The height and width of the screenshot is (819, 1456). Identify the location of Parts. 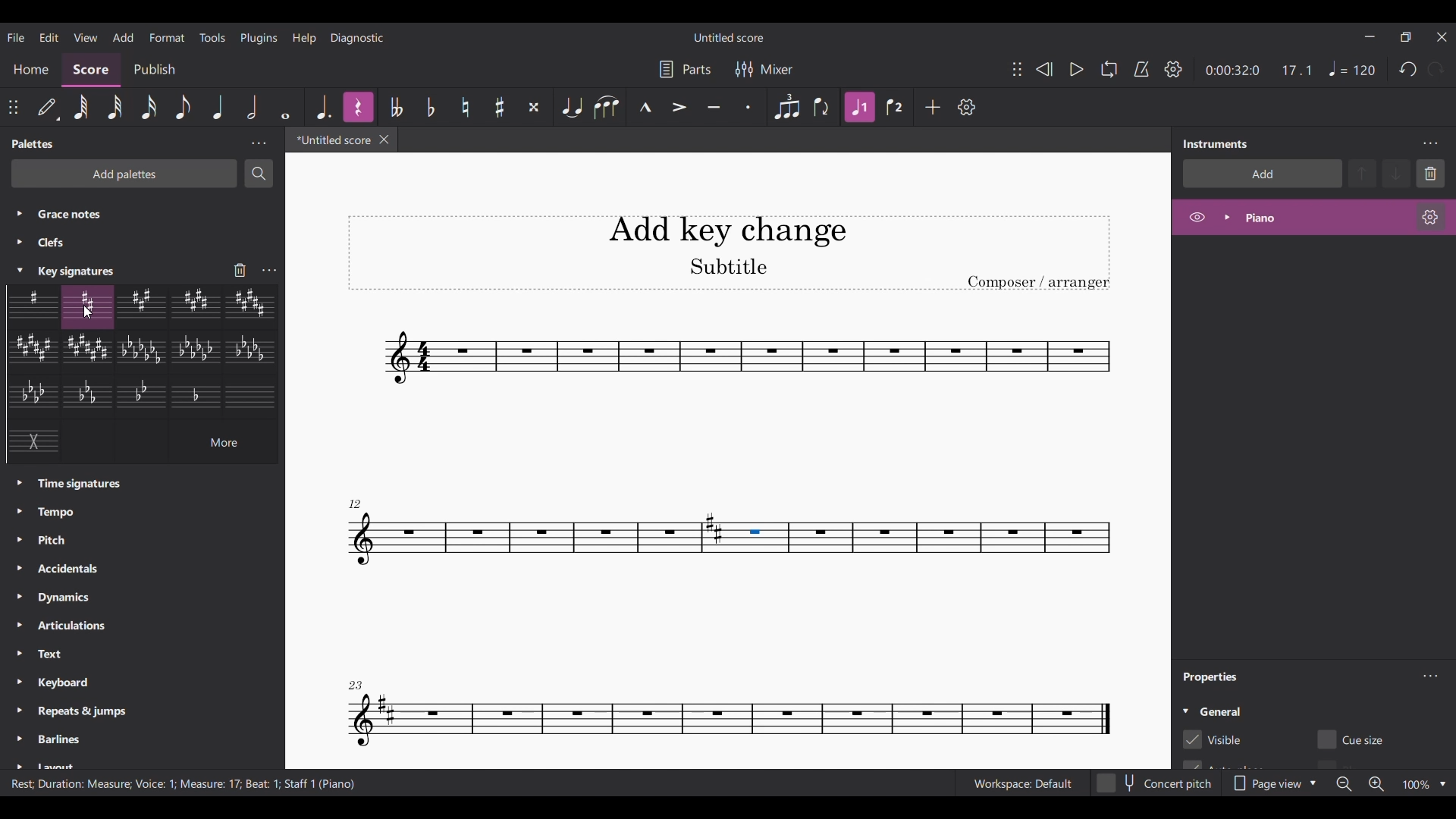
(684, 69).